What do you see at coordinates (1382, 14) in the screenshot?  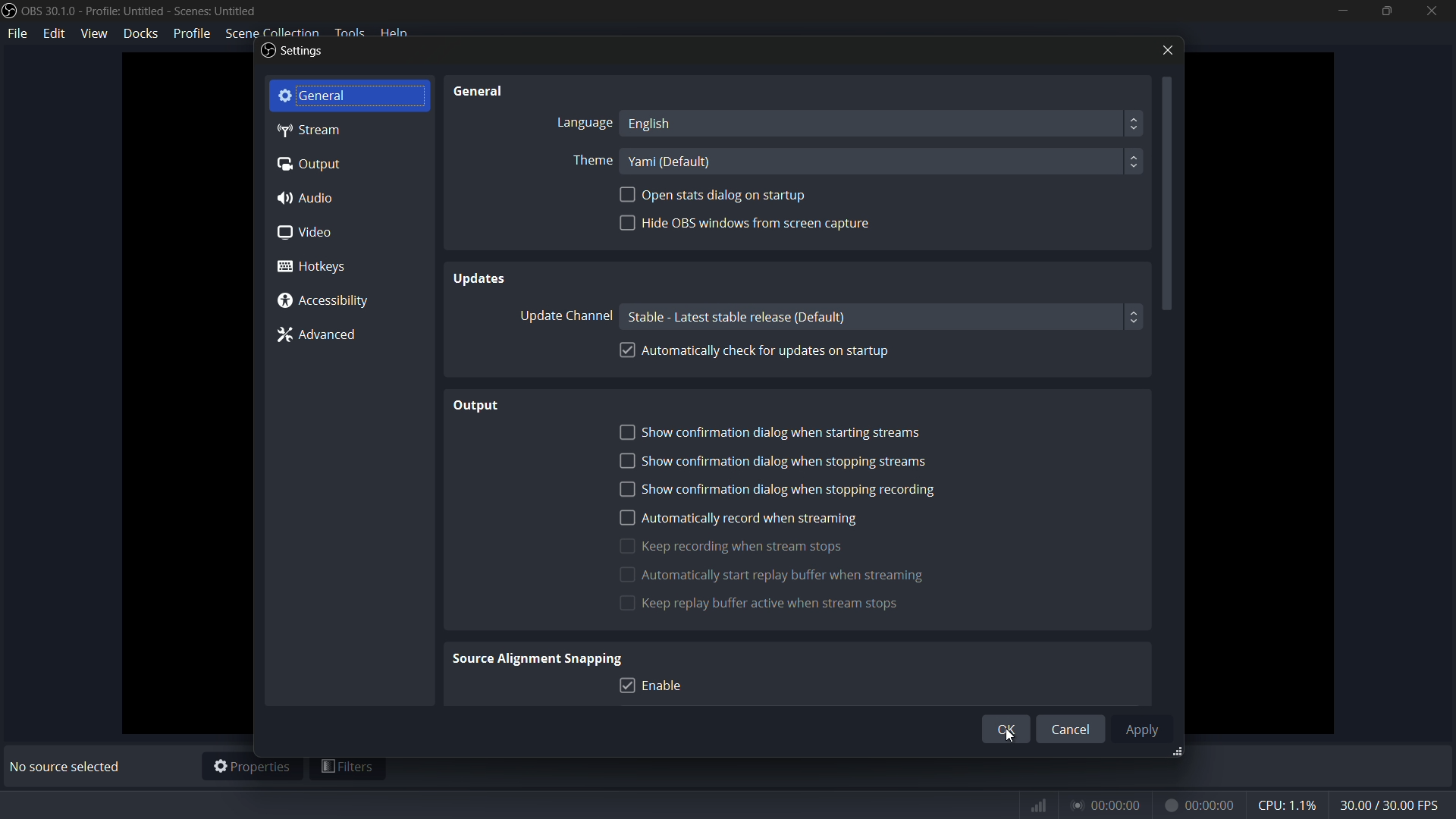 I see `restore down` at bounding box center [1382, 14].